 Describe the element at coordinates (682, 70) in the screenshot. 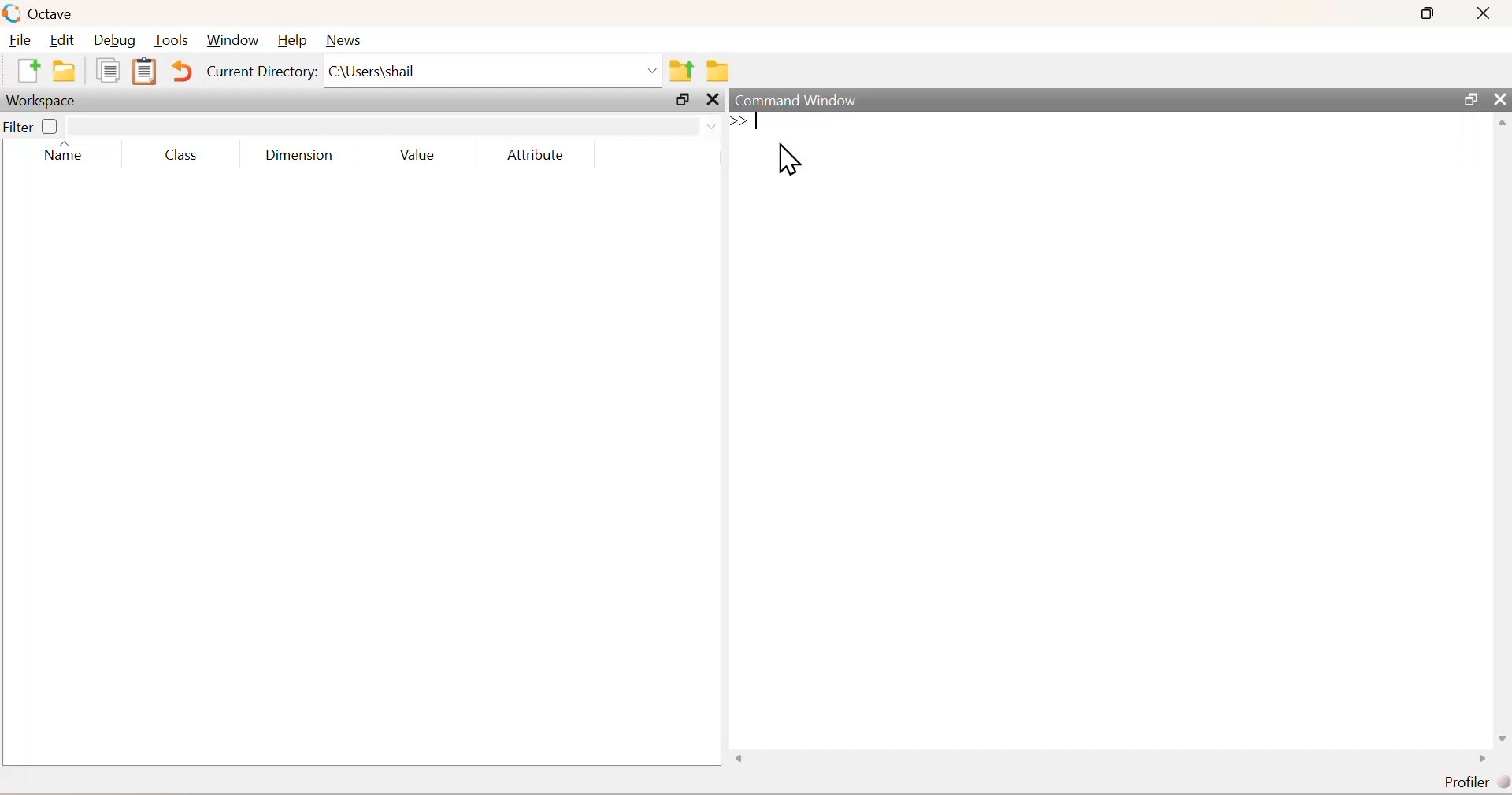

I see `parent directory` at that location.